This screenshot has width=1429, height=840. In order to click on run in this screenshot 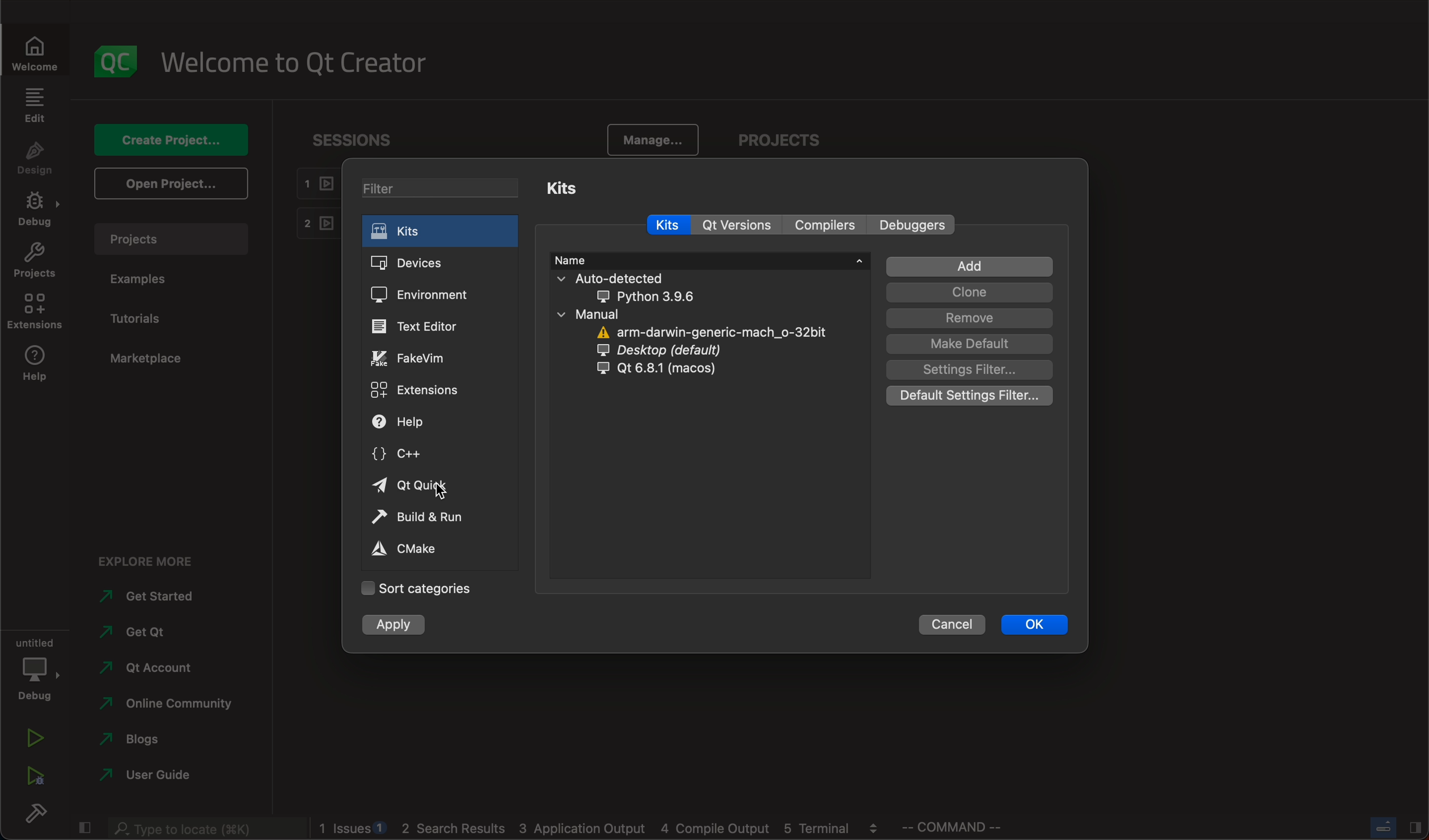, I will do `click(36, 738)`.